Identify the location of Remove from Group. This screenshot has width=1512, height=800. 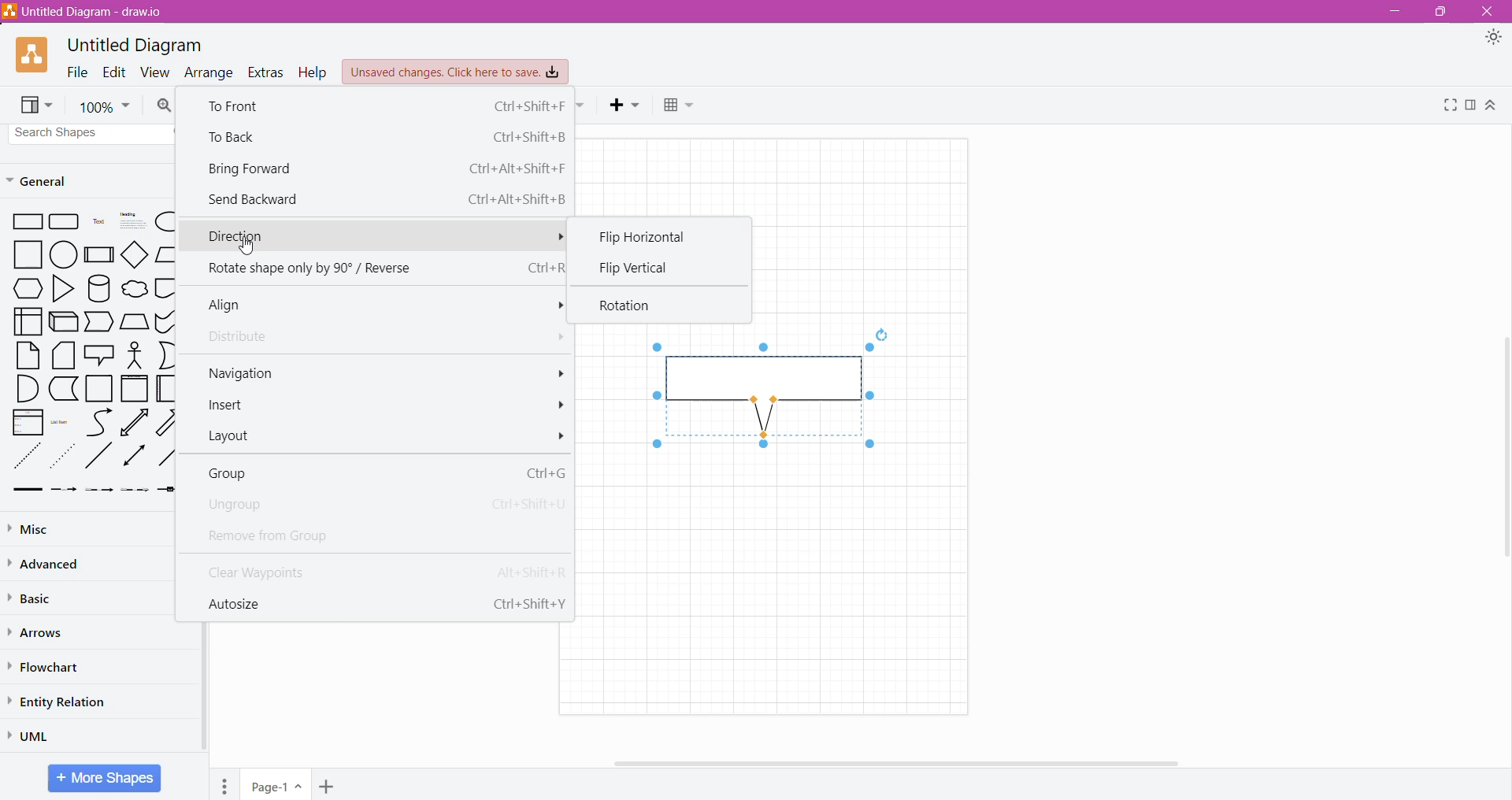
(291, 535).